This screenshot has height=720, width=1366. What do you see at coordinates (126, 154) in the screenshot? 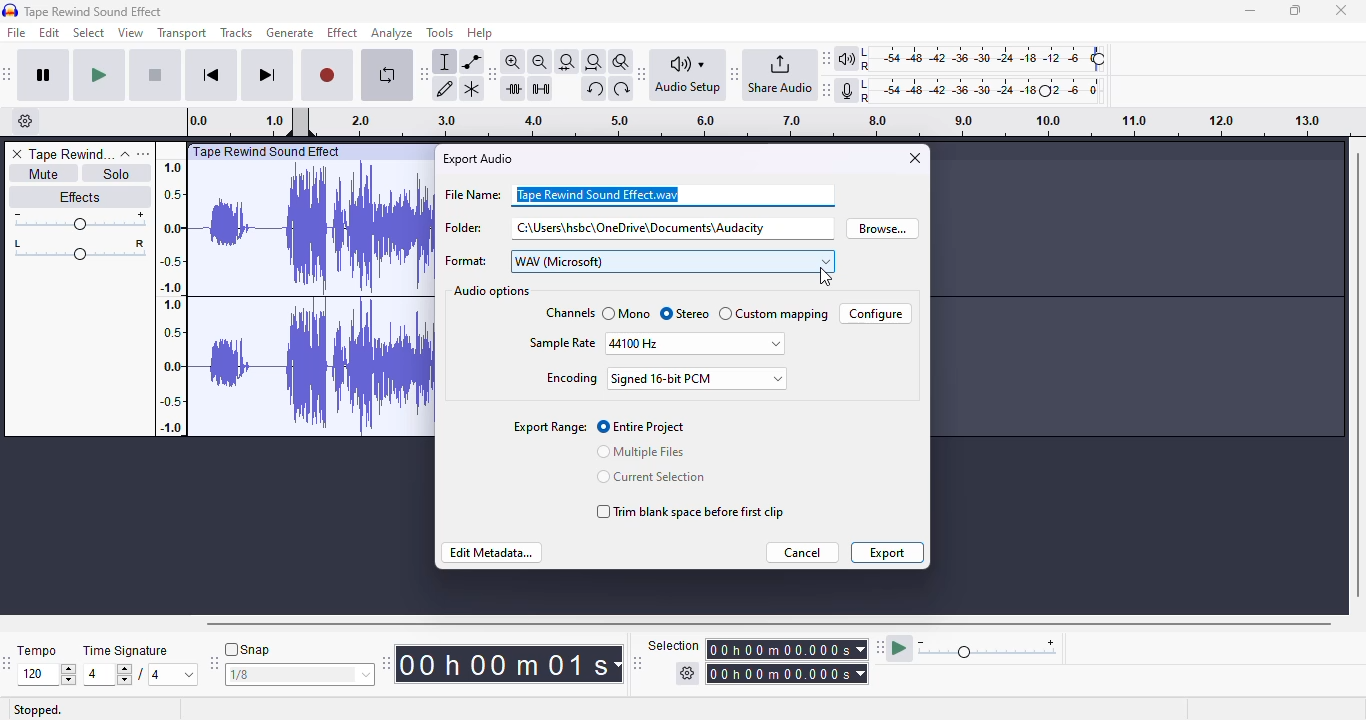
I see `collapse` at bounding box center [126, 154].